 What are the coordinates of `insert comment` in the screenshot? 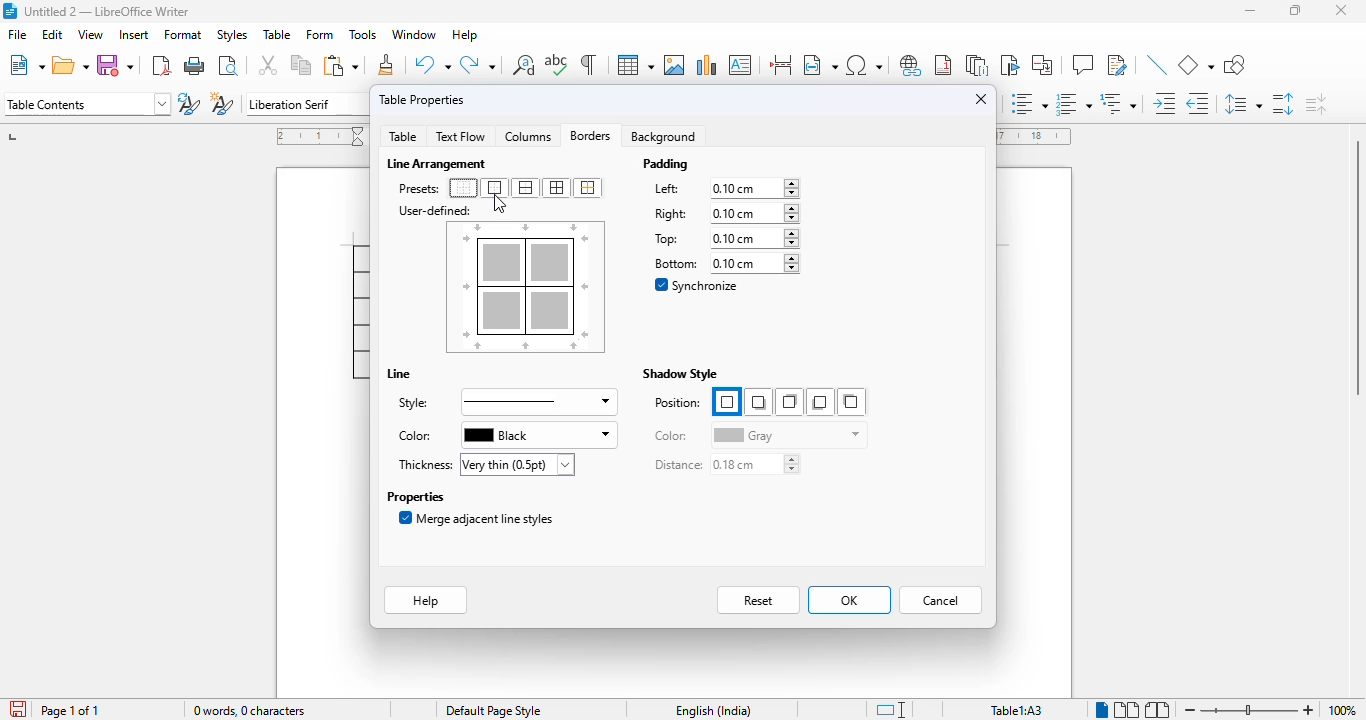 It's located at (1083, 65).